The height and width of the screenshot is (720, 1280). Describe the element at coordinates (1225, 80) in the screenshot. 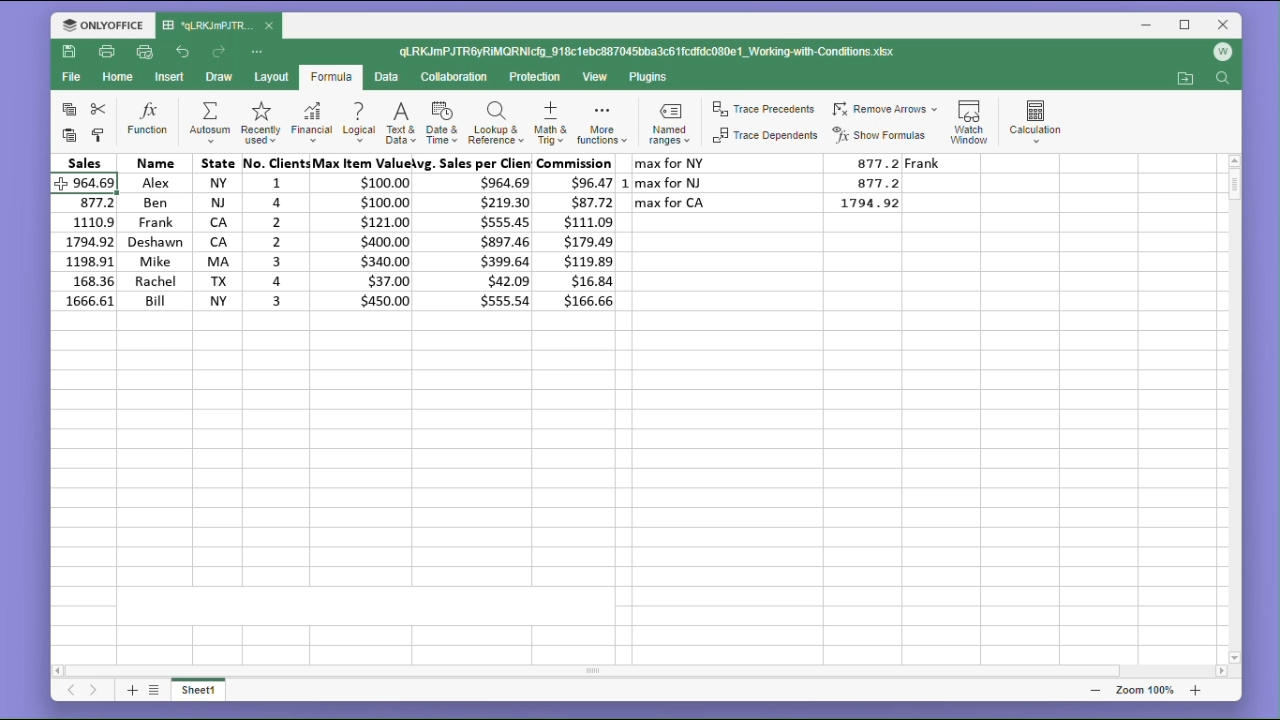

I see `find` at that location.